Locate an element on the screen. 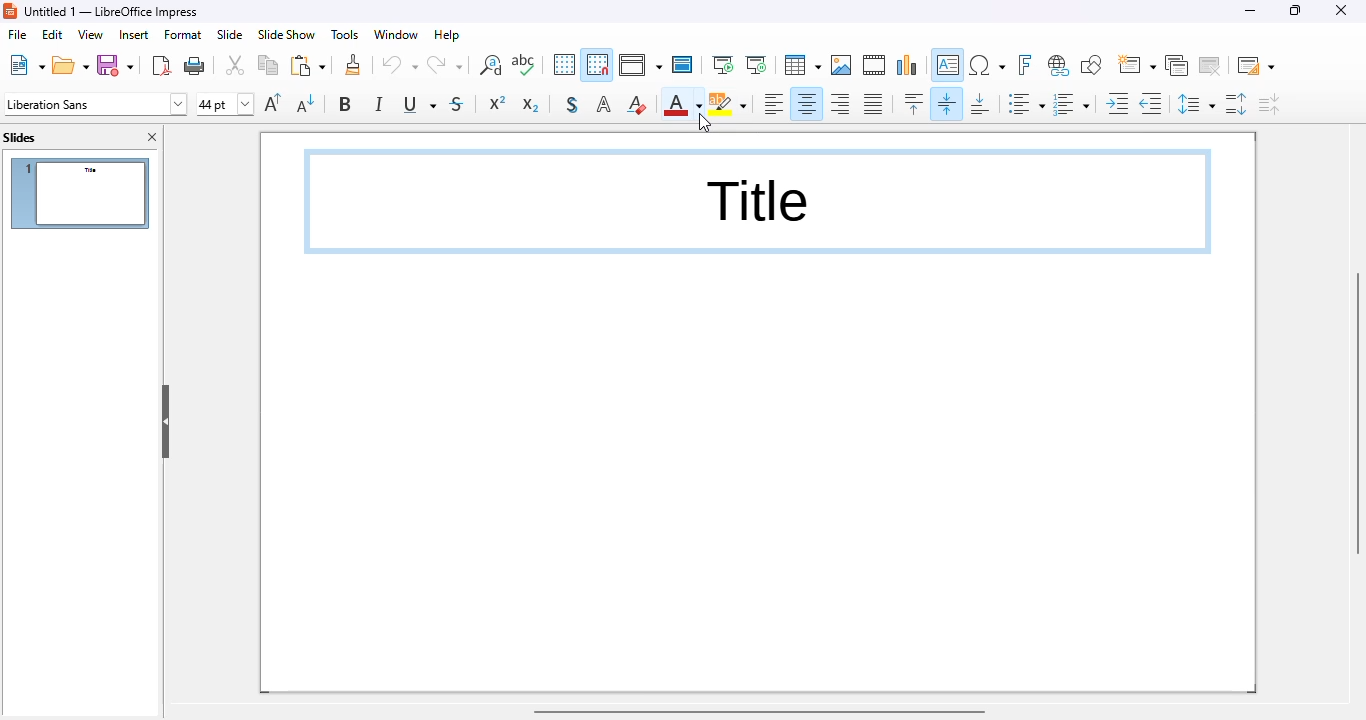 The height and width of the screenshot is (720, 1366). toggle unordered list is located at coordinates (1026, 104).